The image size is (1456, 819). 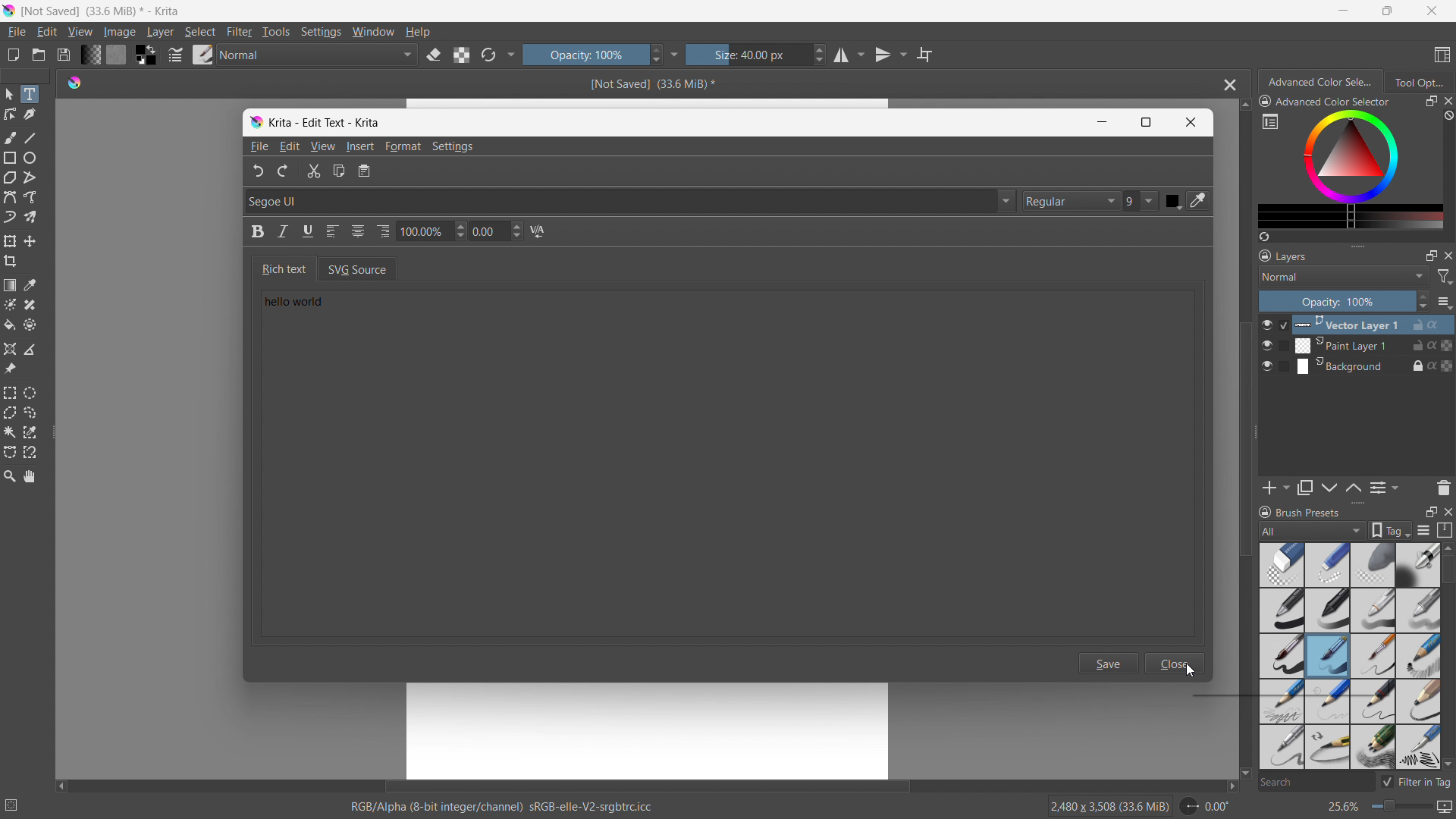 I want to click on scroll down, so click(x=1447, y=764).